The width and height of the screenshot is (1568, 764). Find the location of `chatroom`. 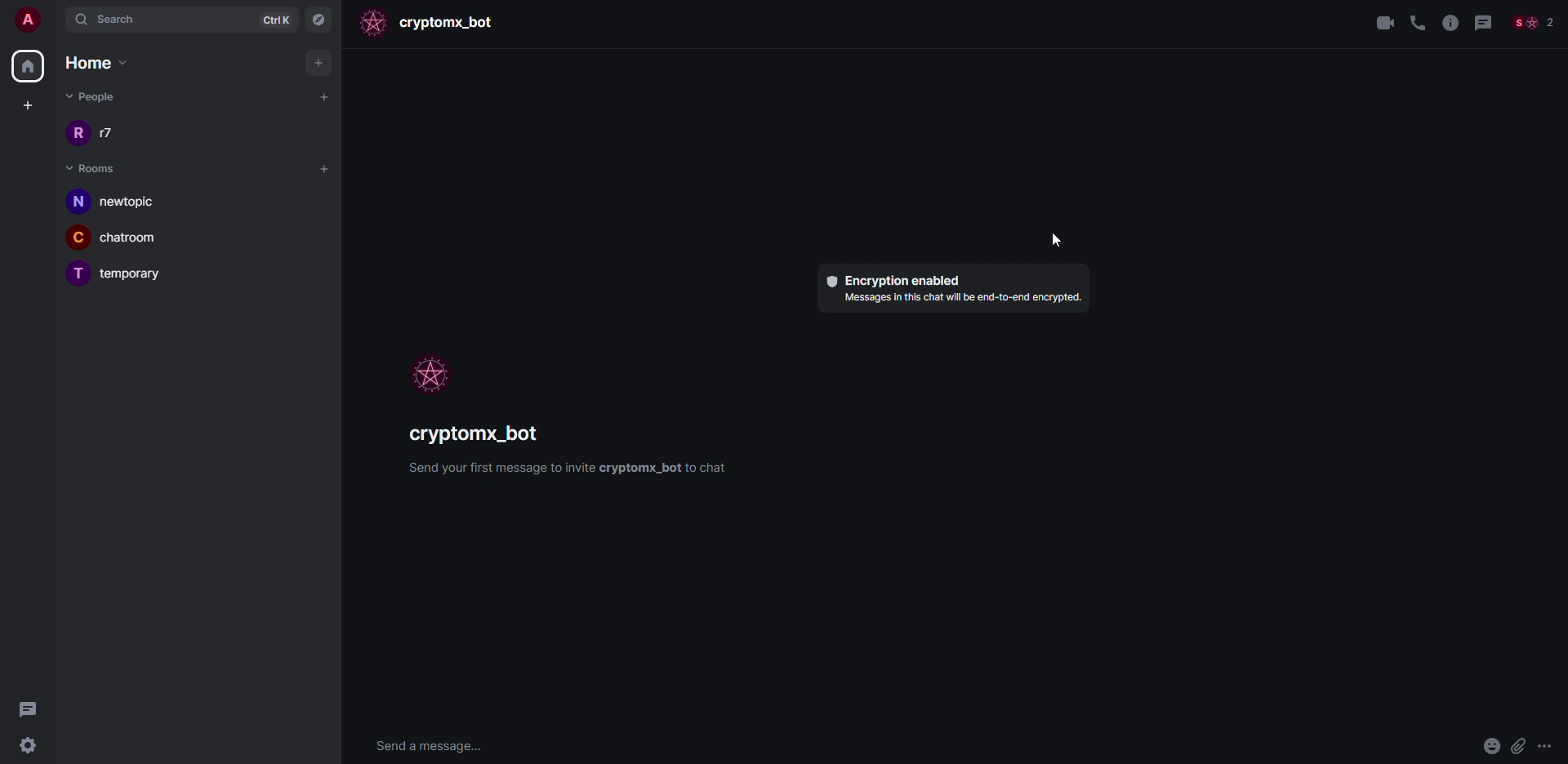

chatroom is located at coordinates (139, 238).